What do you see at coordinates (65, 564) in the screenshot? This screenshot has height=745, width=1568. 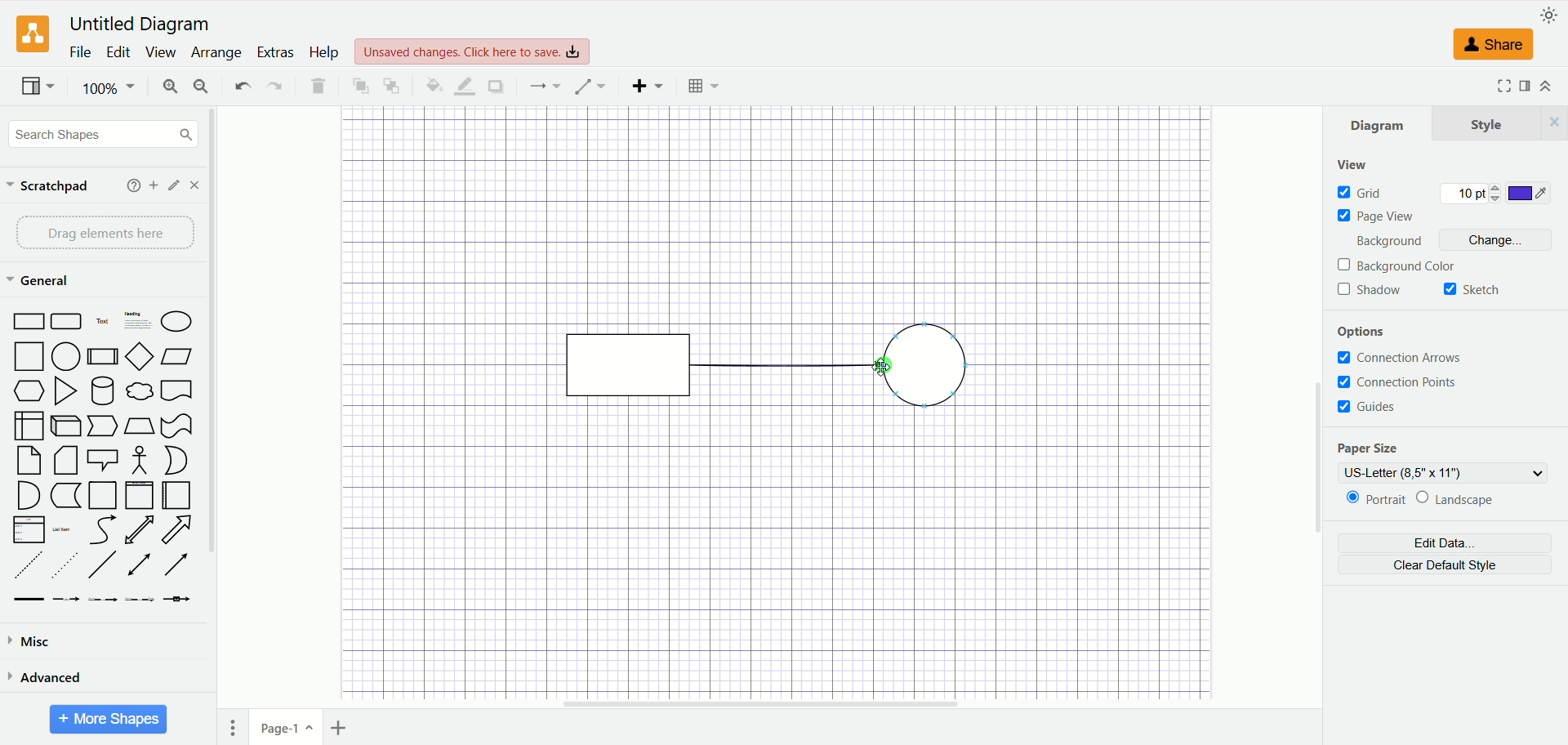 I see `Sparsely Dotted Line` at bounding box center [65, 564].